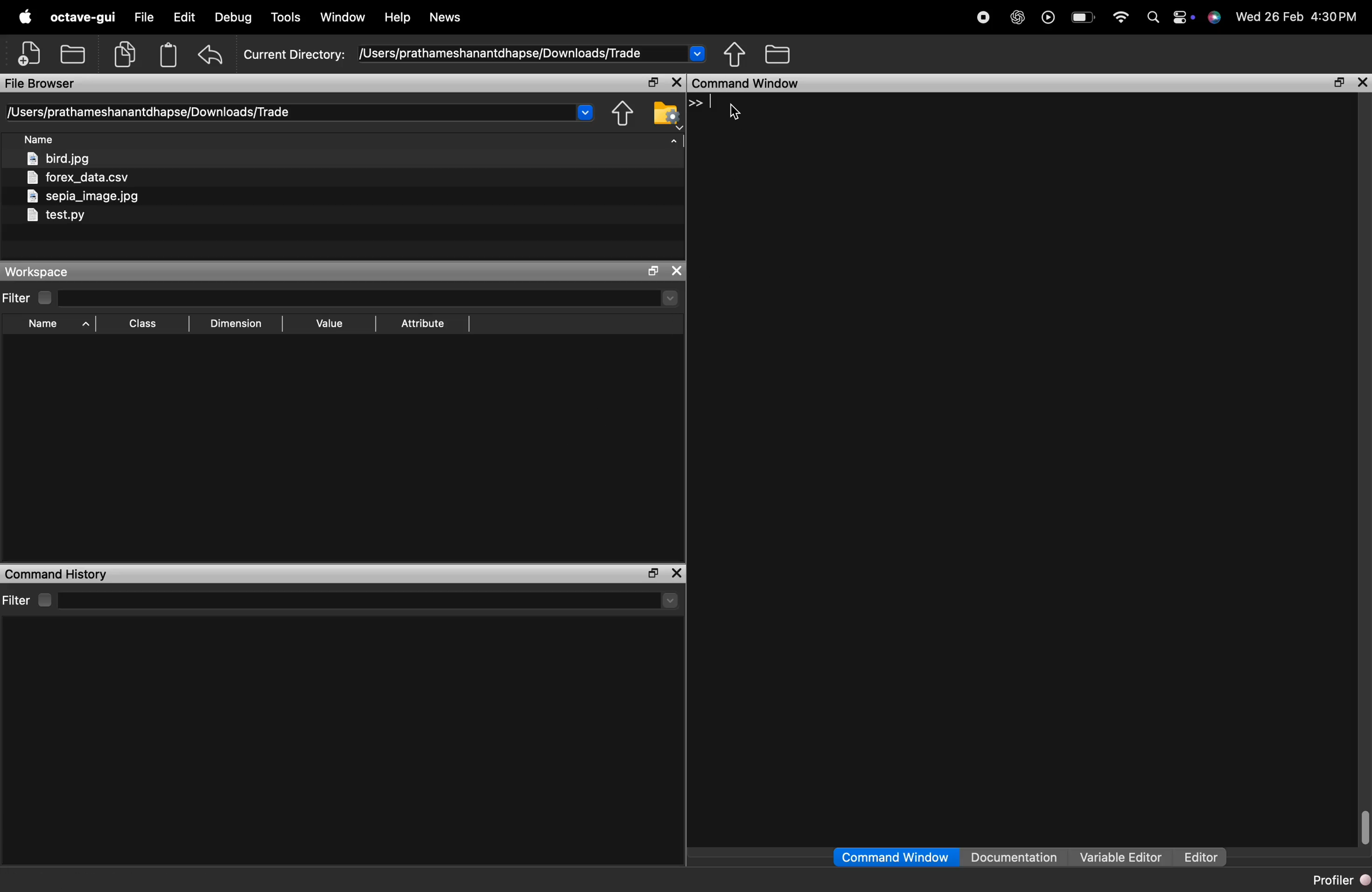  I want to click on scrollbar, so click(1363, 828).